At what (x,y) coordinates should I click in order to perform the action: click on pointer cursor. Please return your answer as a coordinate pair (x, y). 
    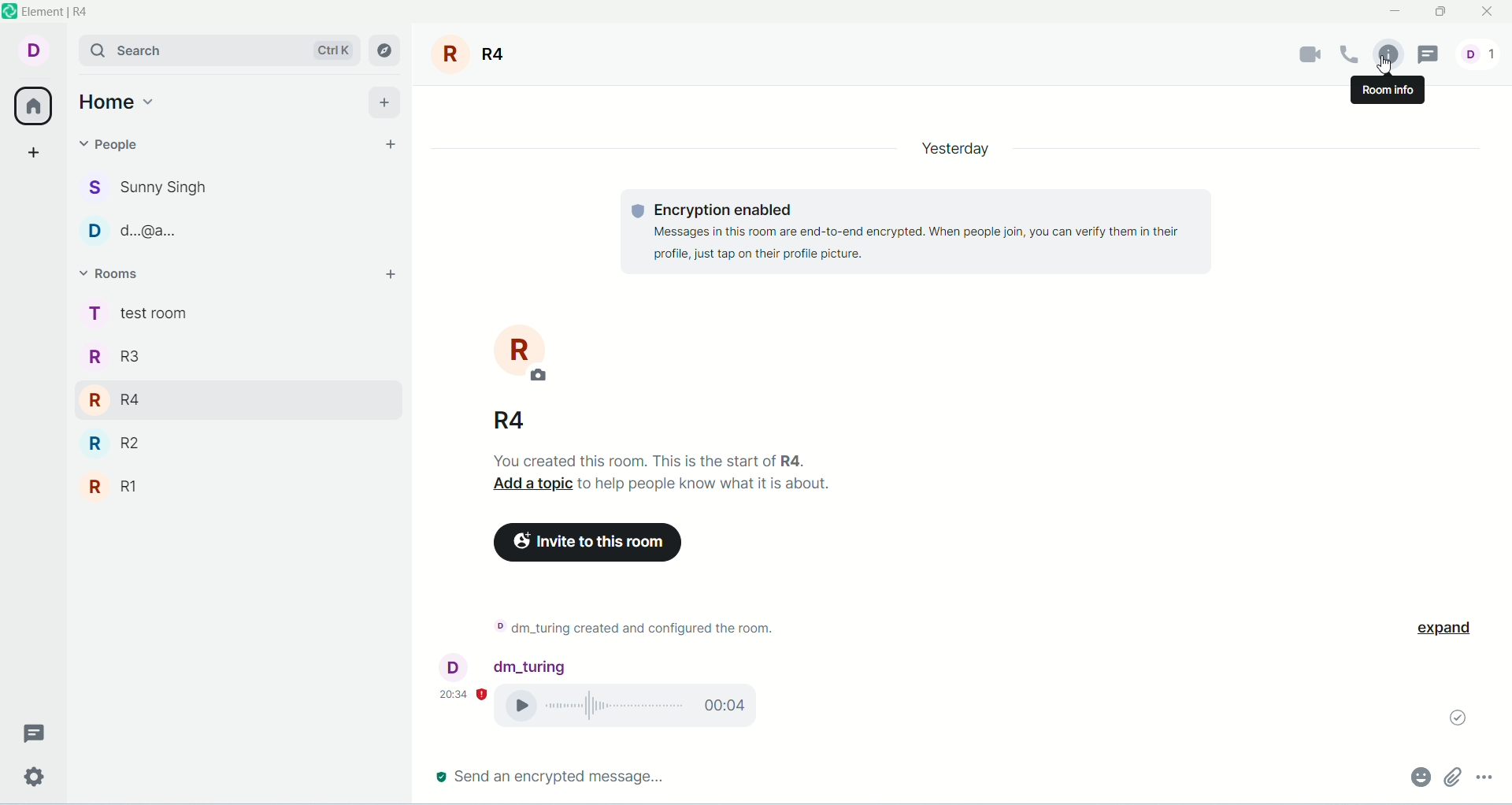
    Looking at the image, I should click on (1381, 66).